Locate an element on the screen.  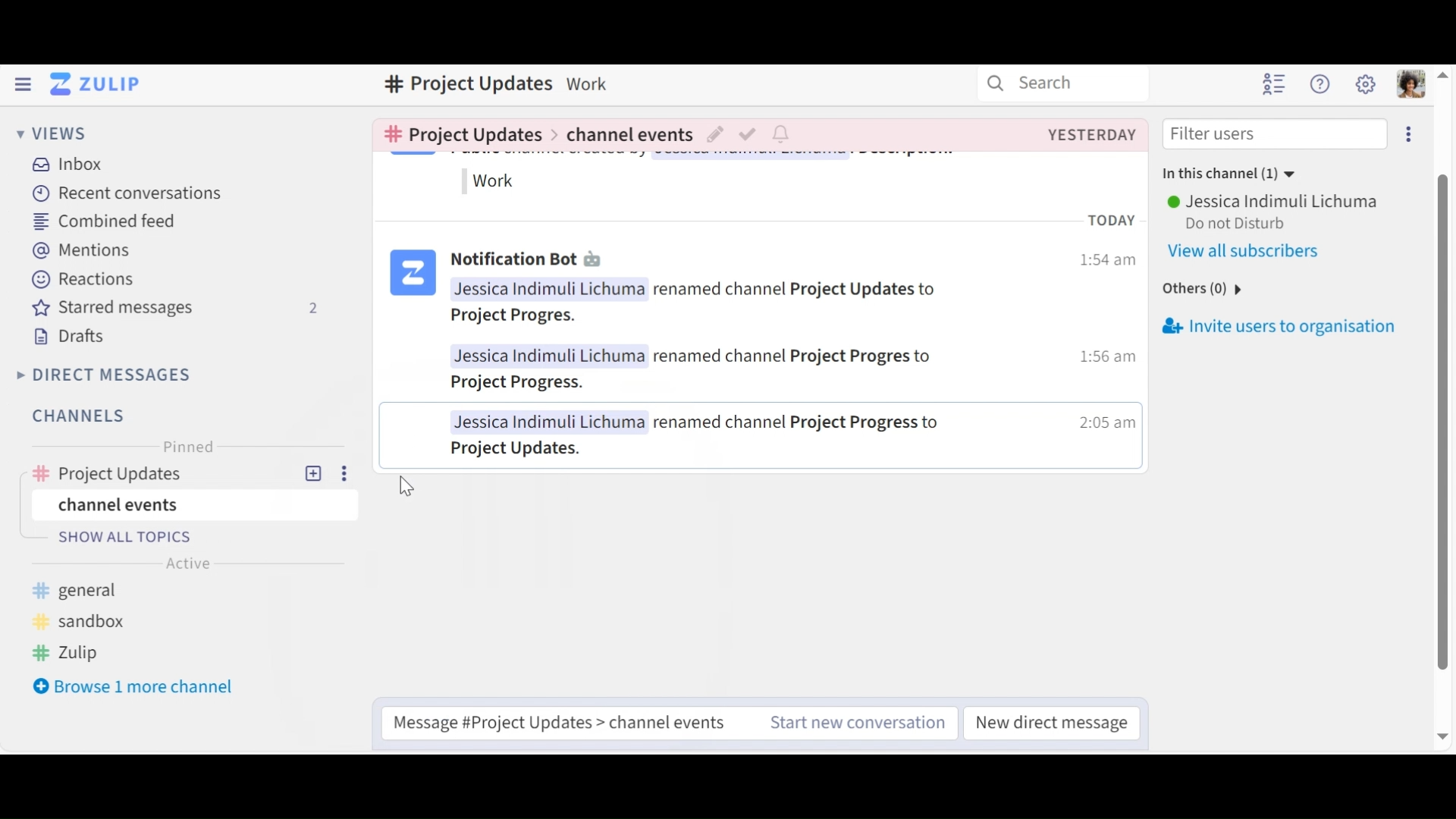
1:56 am is located at coordinates (1104, 359).